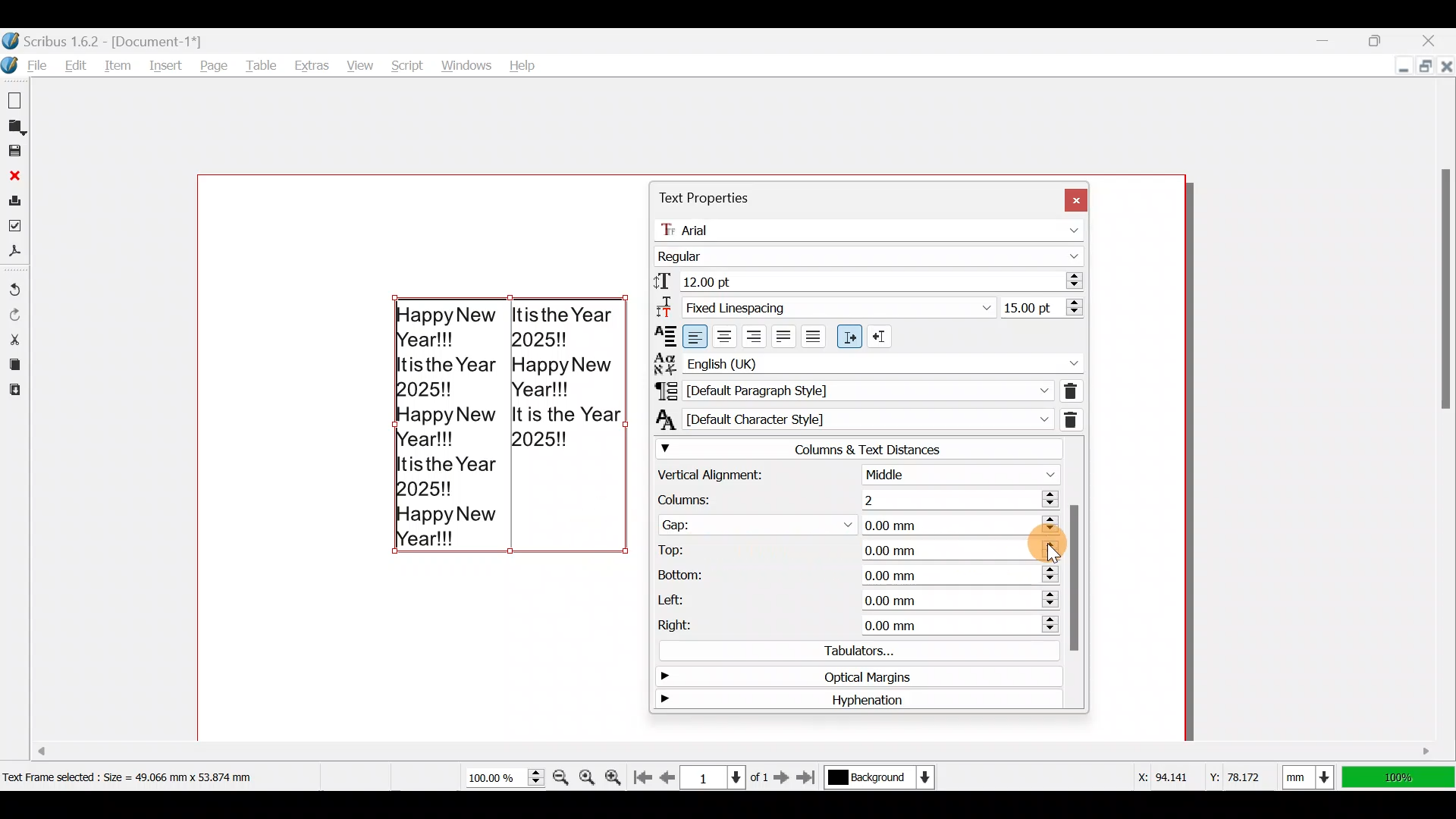 The width and height of the screenshot is (1456, 819). What do you see at coordinates (783, 777) in the screenshot?
I see `Go to the next page` at bounding box center [783, 777].